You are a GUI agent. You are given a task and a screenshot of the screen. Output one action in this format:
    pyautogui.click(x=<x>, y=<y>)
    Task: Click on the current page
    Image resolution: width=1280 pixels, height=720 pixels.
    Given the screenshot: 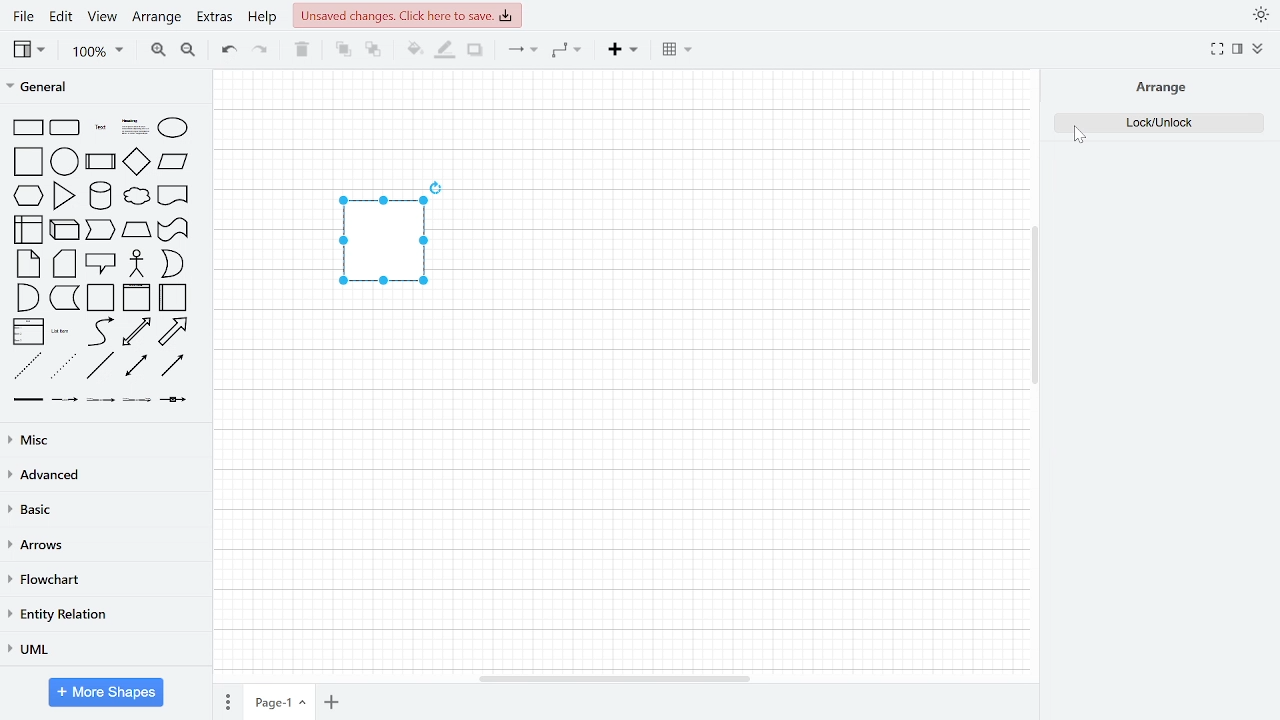 What is the action you would take?
    pyautogui.click(x=277, y=699)
    